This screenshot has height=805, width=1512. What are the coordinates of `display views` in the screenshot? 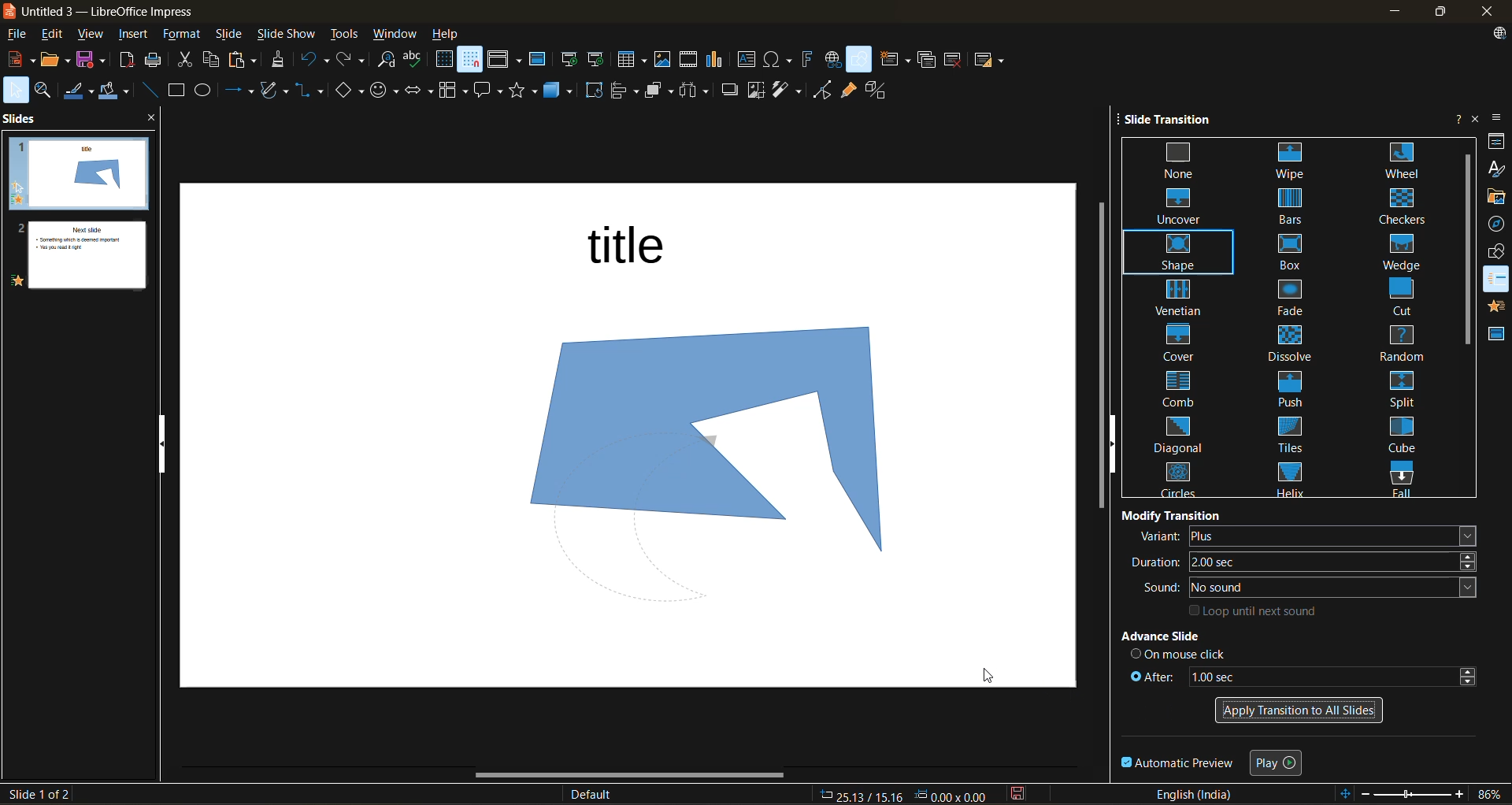 It's located at (506, 61).